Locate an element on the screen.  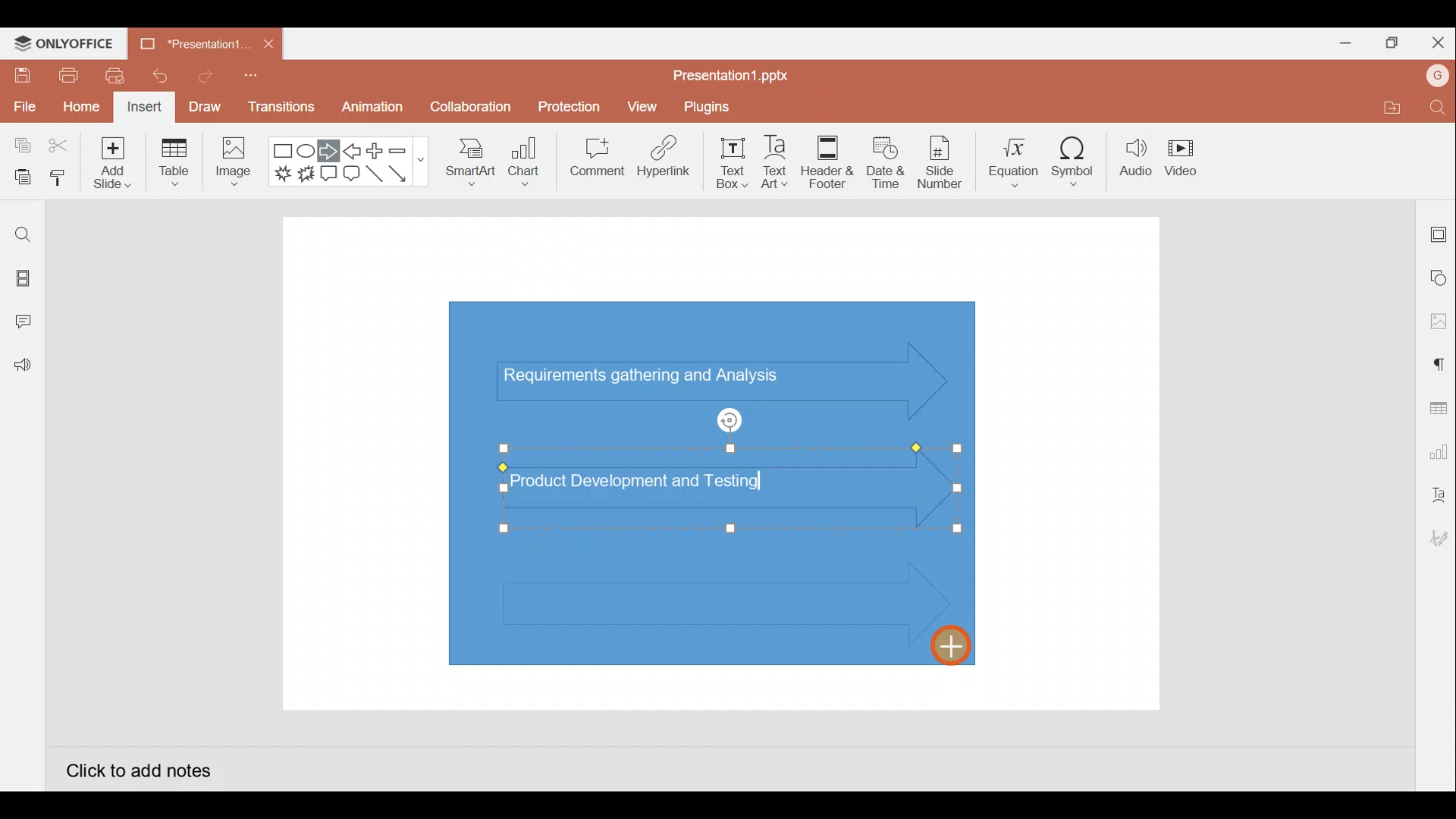
Paragraph settings is located at coordinates (1438, 362).